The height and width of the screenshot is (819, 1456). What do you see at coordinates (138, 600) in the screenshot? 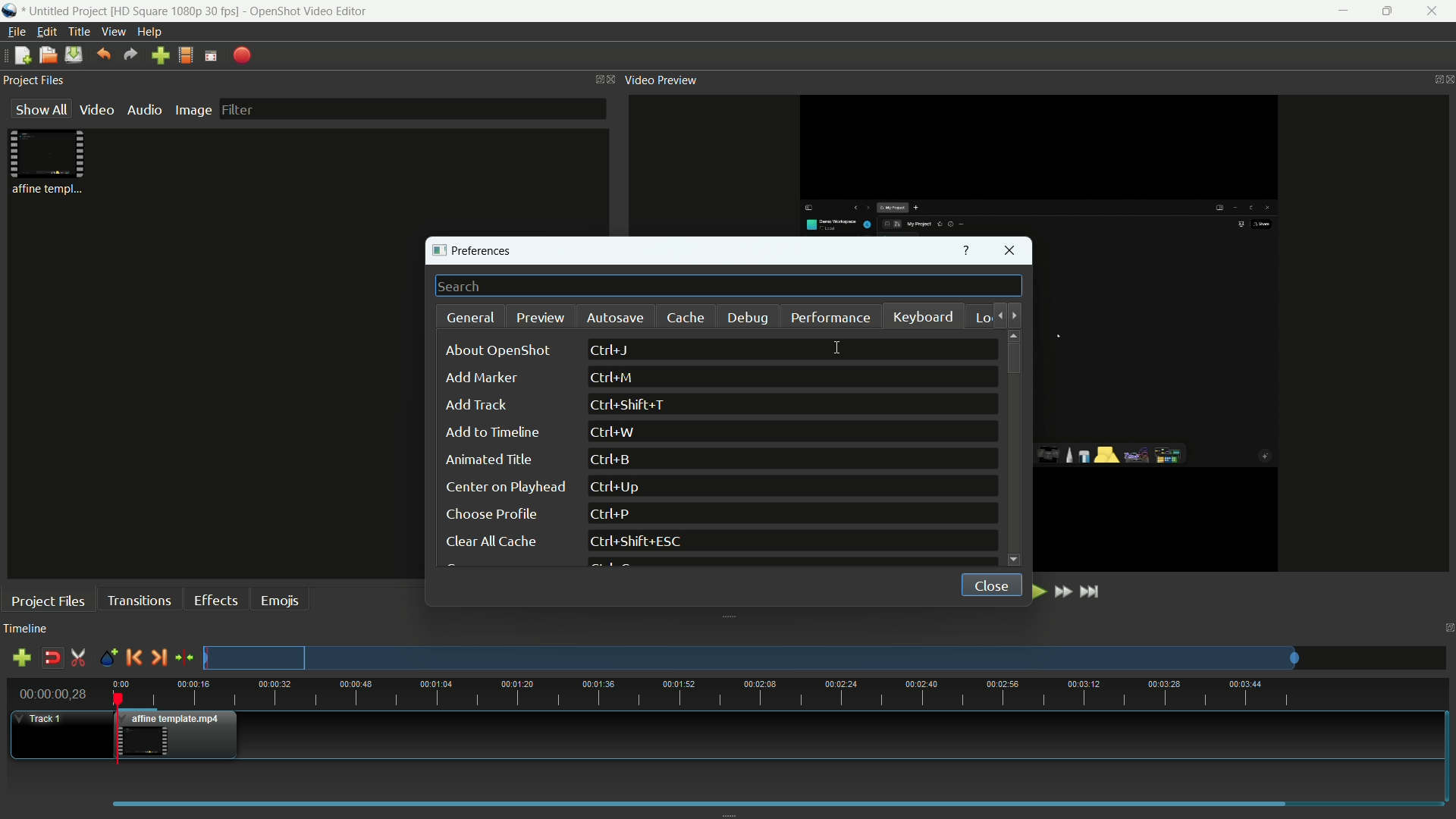
I see `transitions` at bounding box center [138, 600].